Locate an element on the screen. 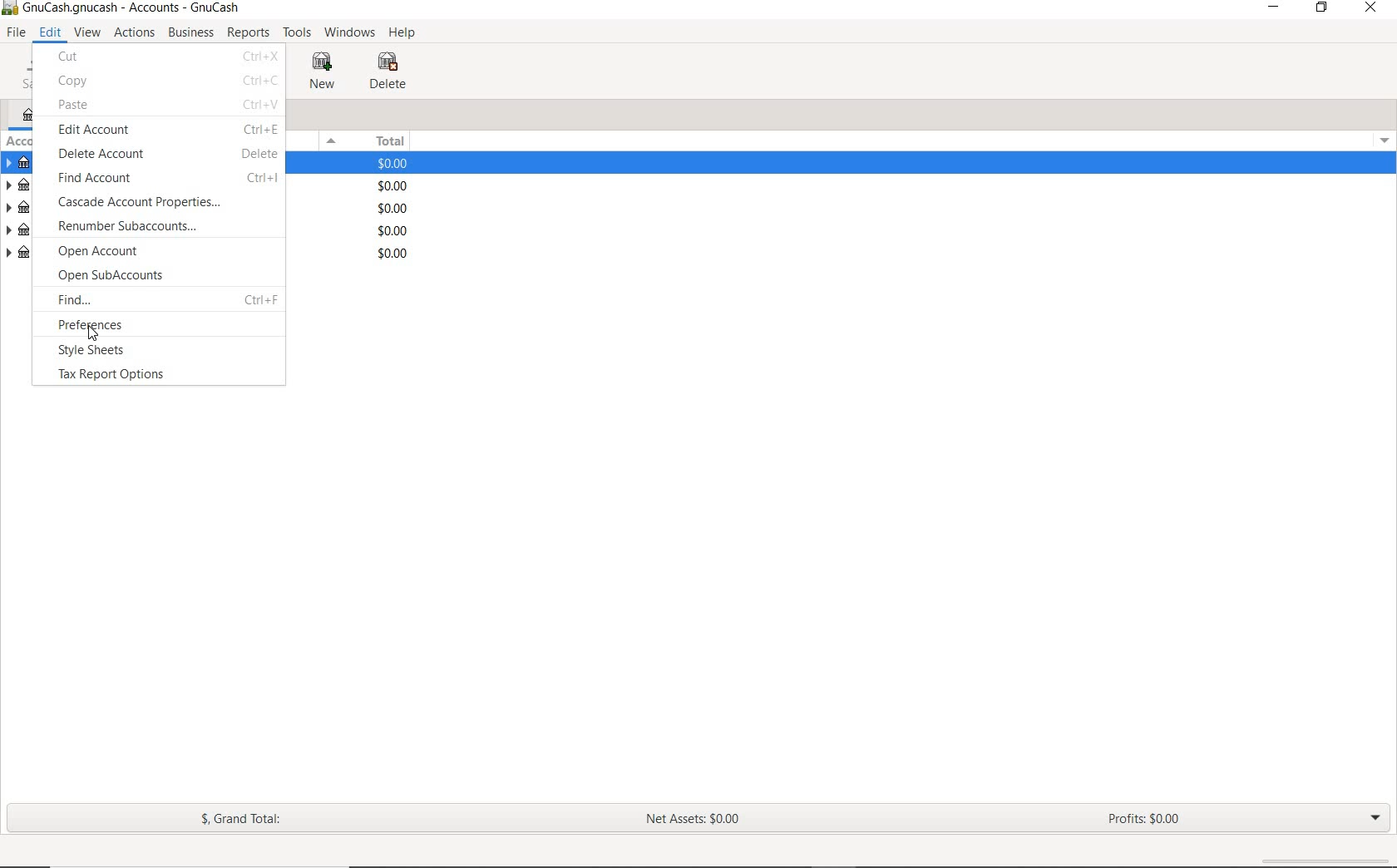 The image size is (1397, 868). PROFITS is located at coordinates (1145, 821).